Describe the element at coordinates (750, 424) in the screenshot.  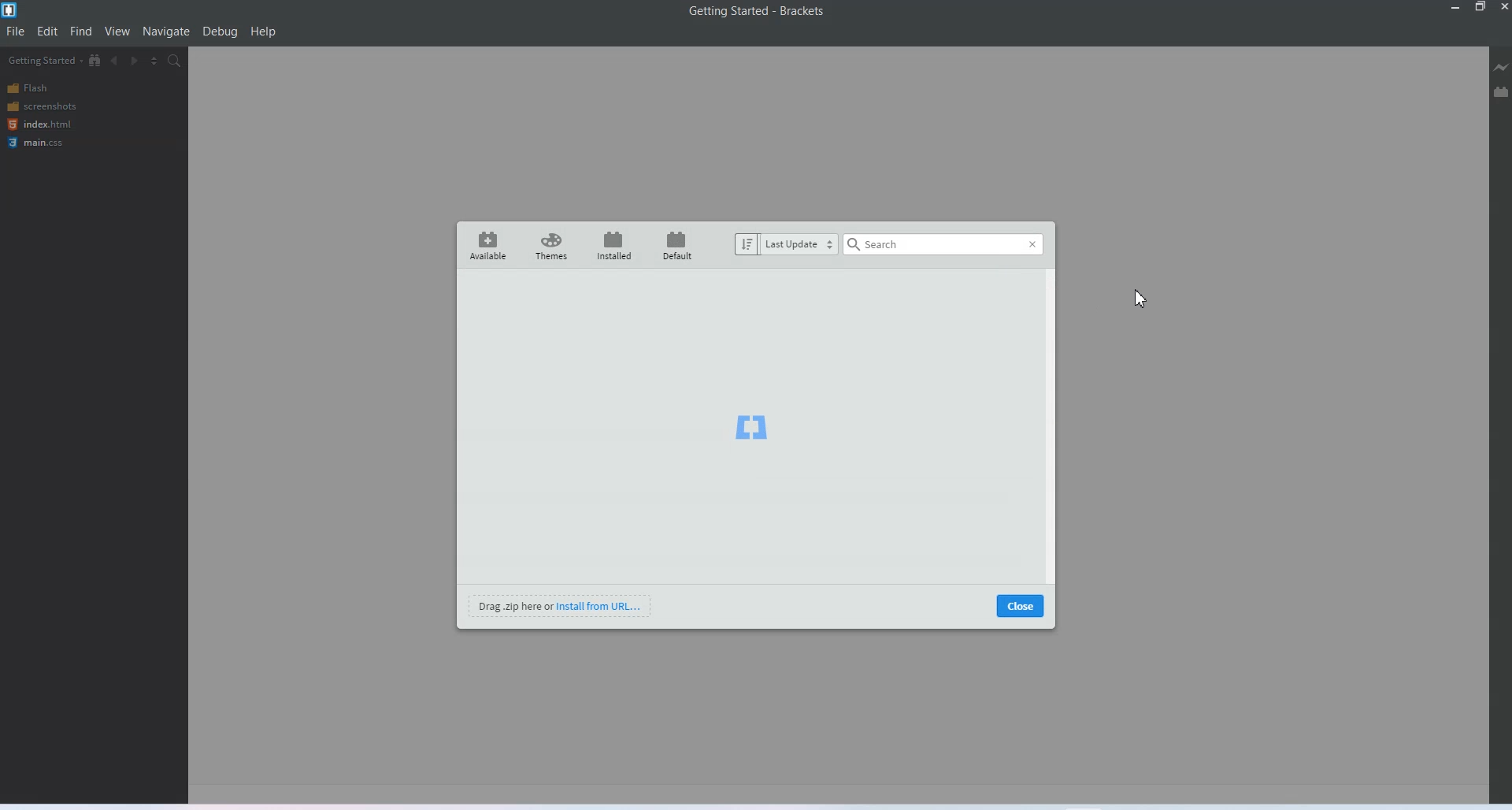
I see `Logo` at that location.